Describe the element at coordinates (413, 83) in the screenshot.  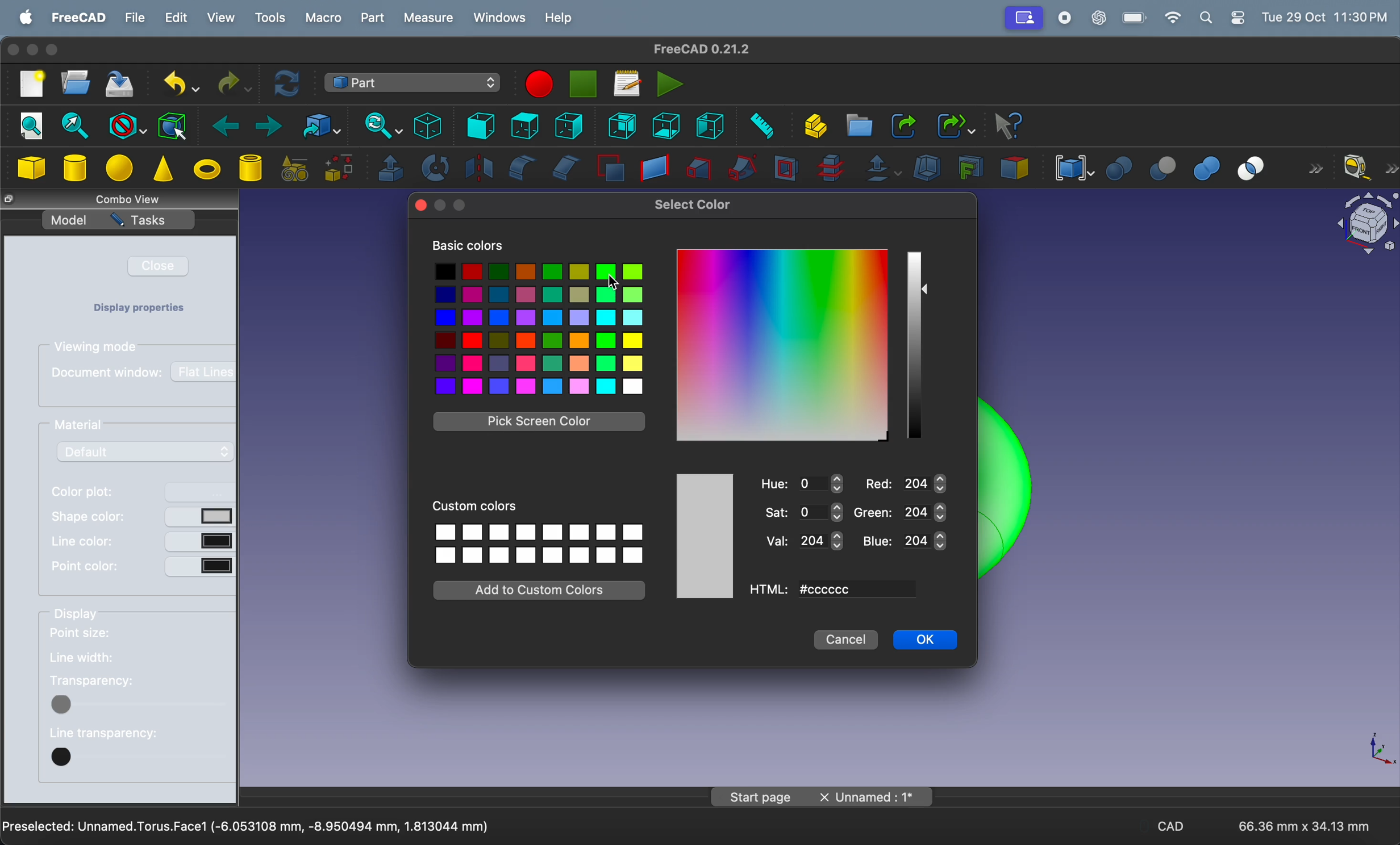
I see `switch between work benches` at that location.